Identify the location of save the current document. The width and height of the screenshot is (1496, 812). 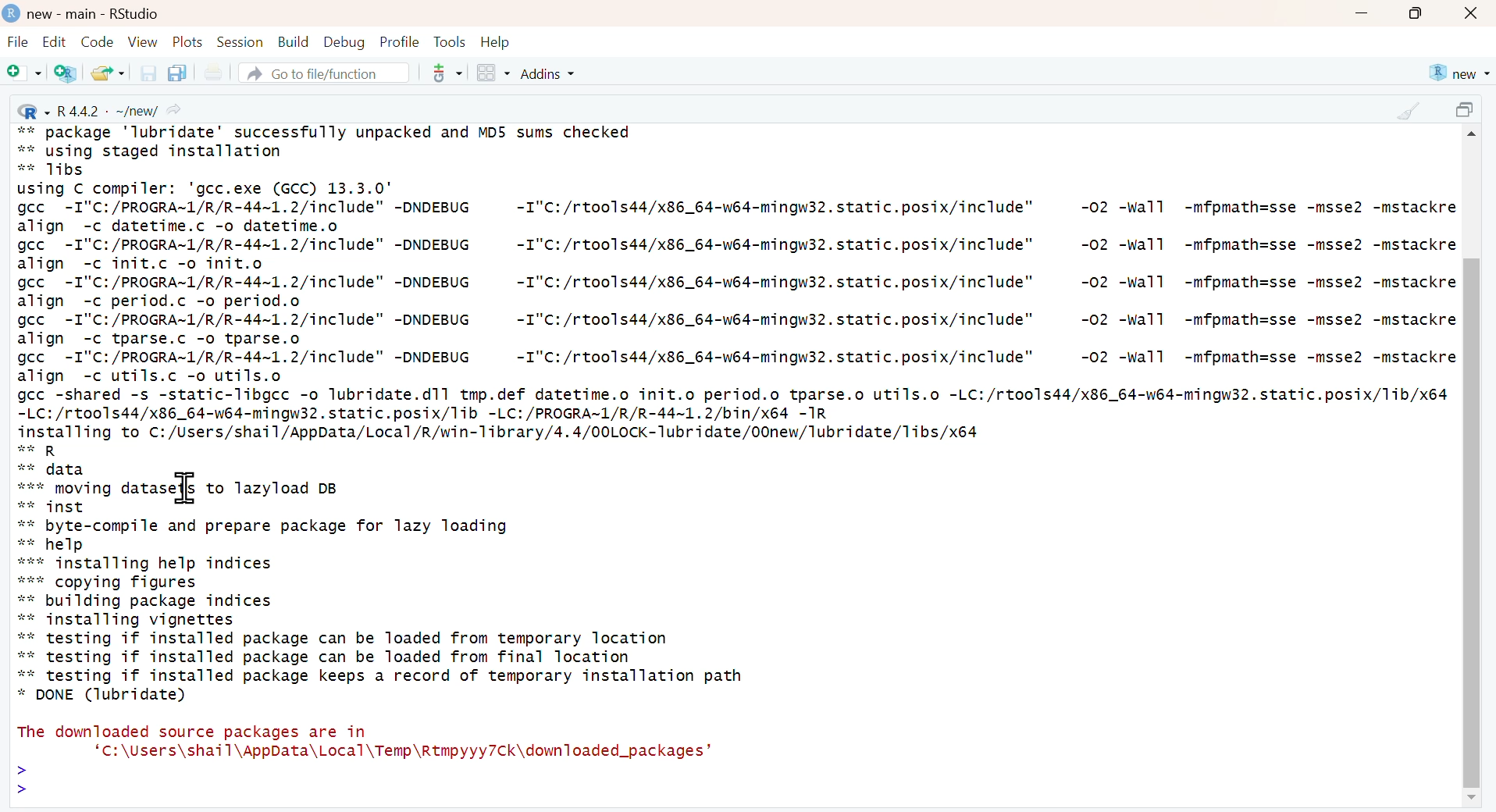
(146, 73).